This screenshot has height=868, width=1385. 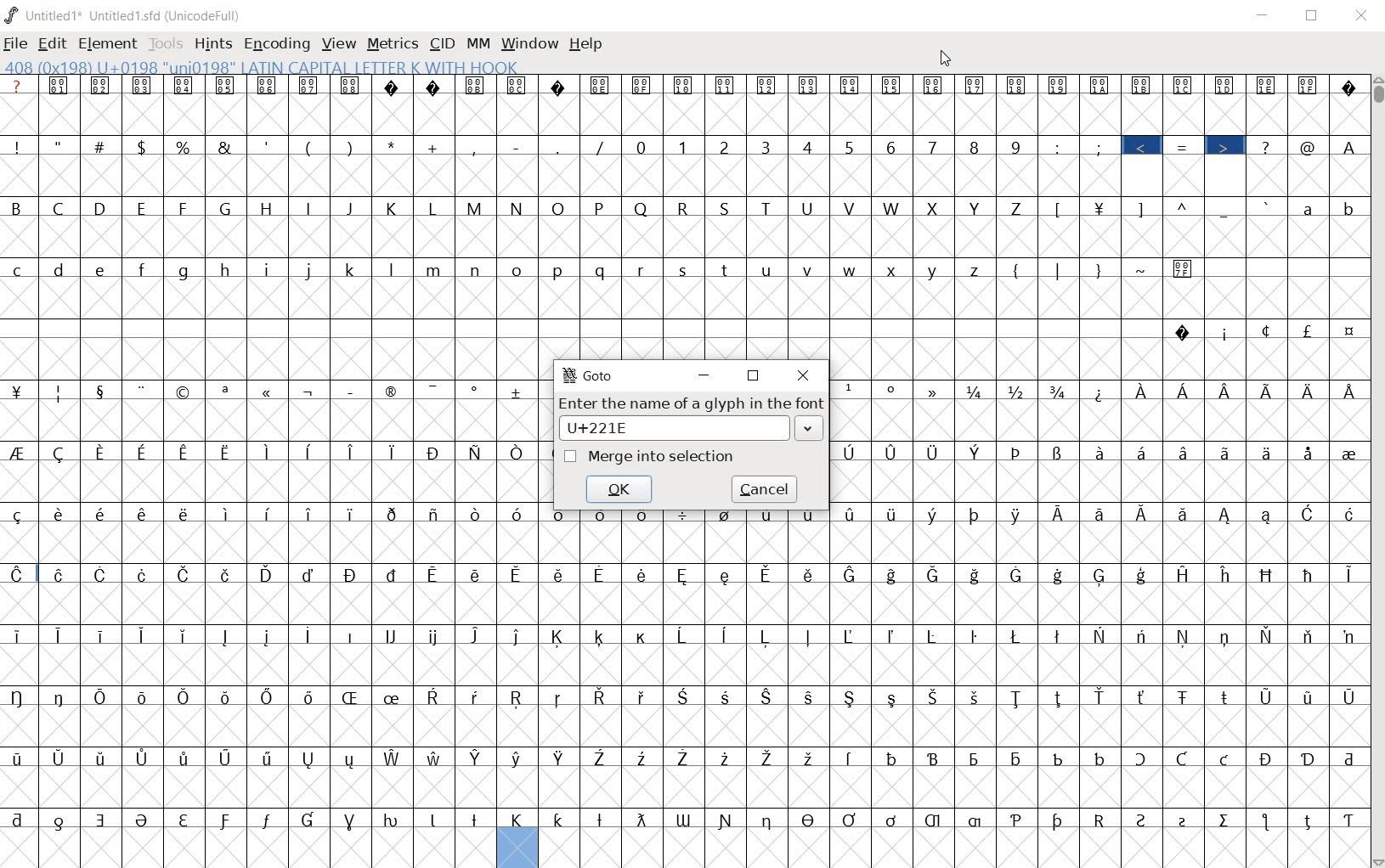 What do you see at coordinates (1348, 146) in the screenshot?
I see `` at bounding box center [1348, 146].